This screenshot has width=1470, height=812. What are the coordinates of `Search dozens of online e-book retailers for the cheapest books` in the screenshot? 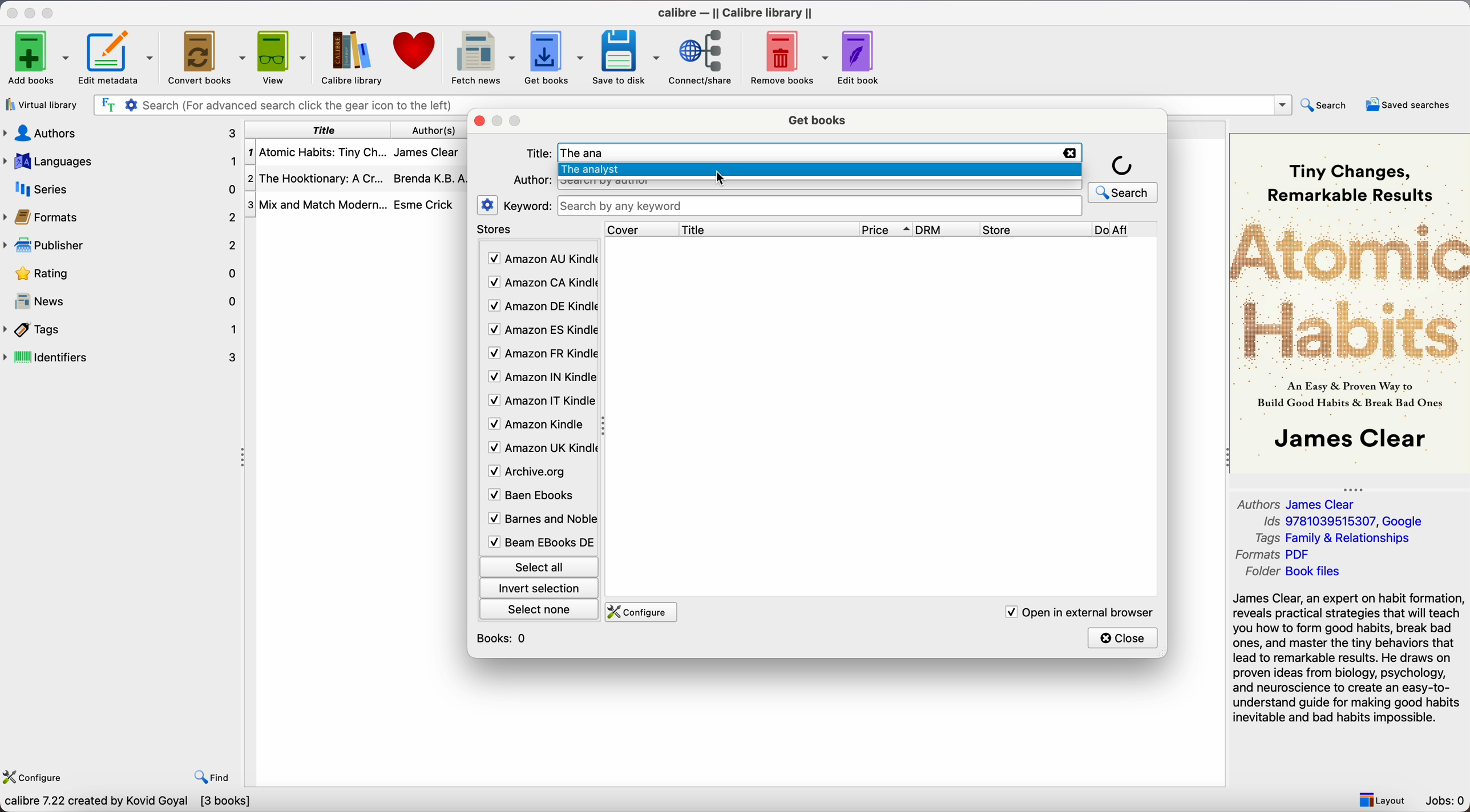 It's located at (172, 803).